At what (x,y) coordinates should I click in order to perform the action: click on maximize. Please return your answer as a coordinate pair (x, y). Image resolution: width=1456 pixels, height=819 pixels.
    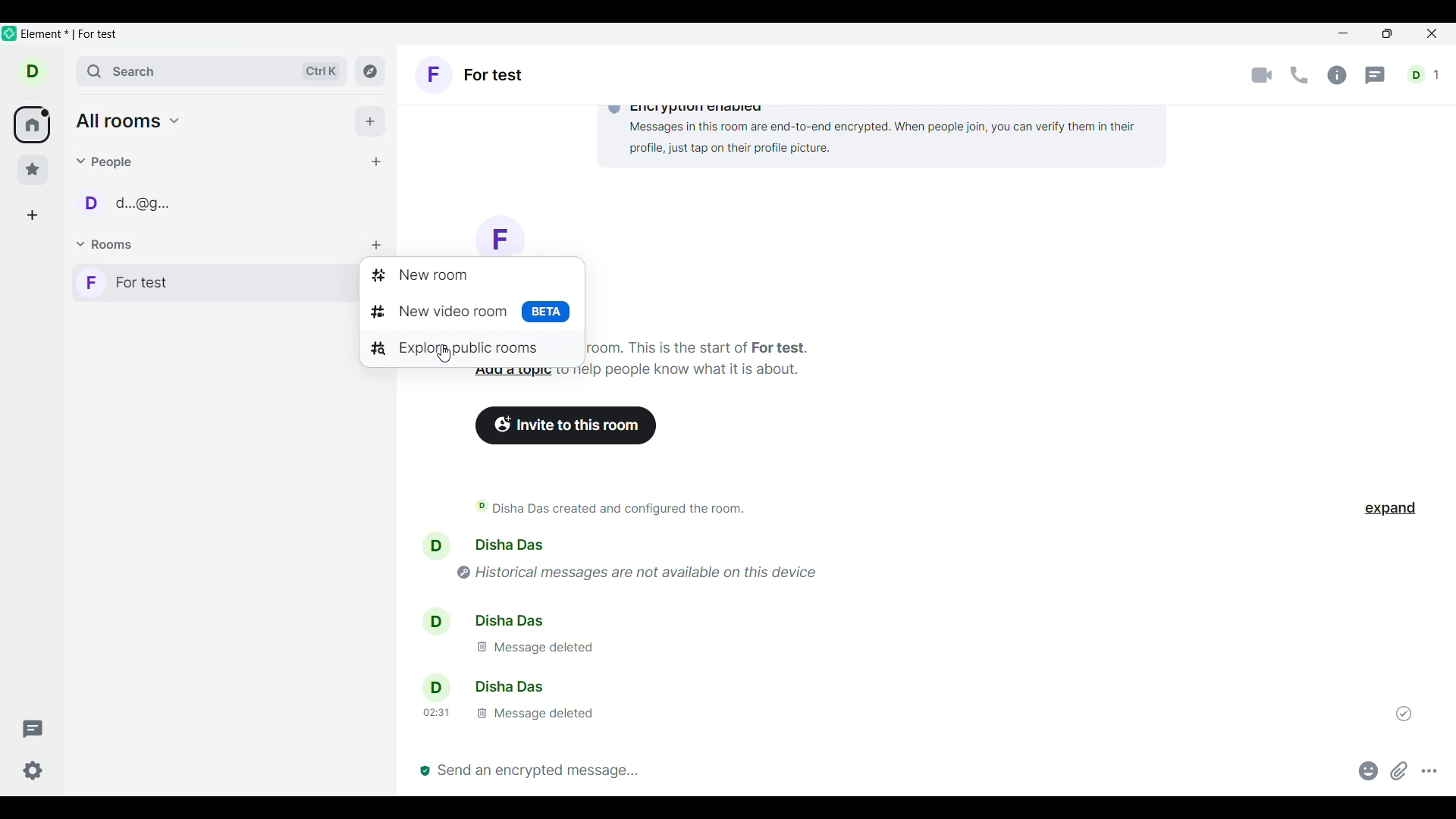
    Looking at the image, I should click on (1385, 36).